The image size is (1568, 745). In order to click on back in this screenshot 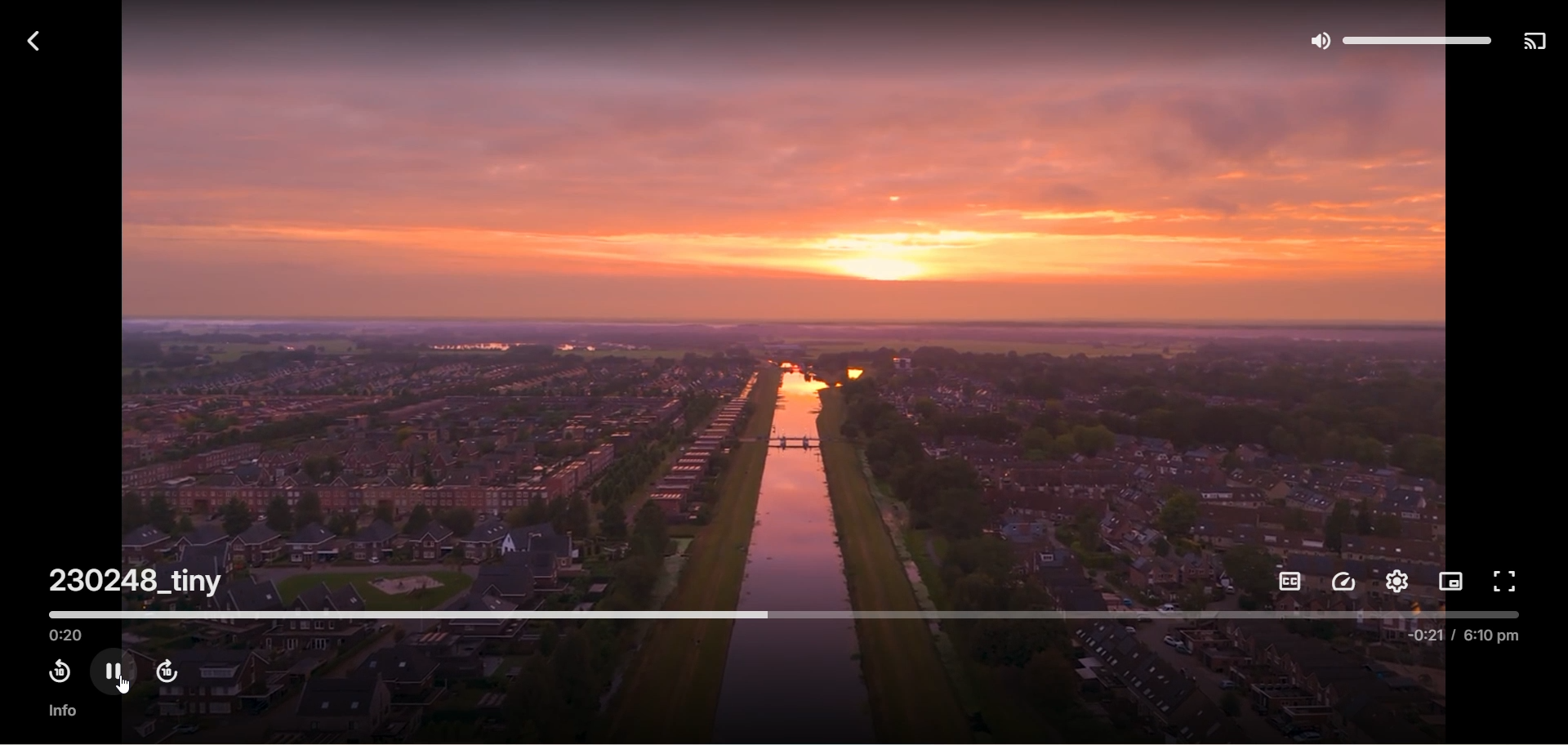, I will do `click(28, 39)`.